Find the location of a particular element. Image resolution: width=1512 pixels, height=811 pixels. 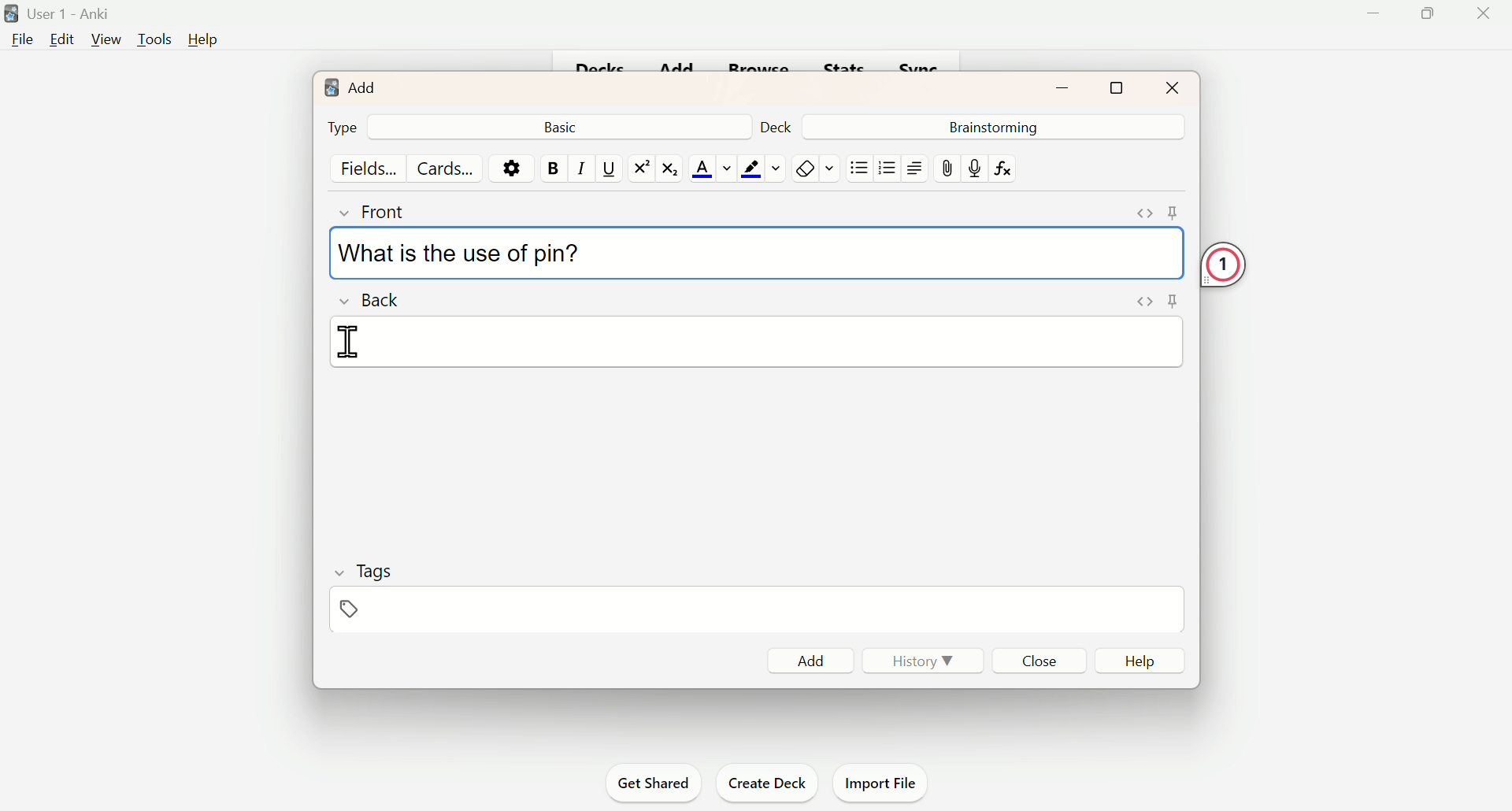

Minimise is located at coordinates (1371, 19).